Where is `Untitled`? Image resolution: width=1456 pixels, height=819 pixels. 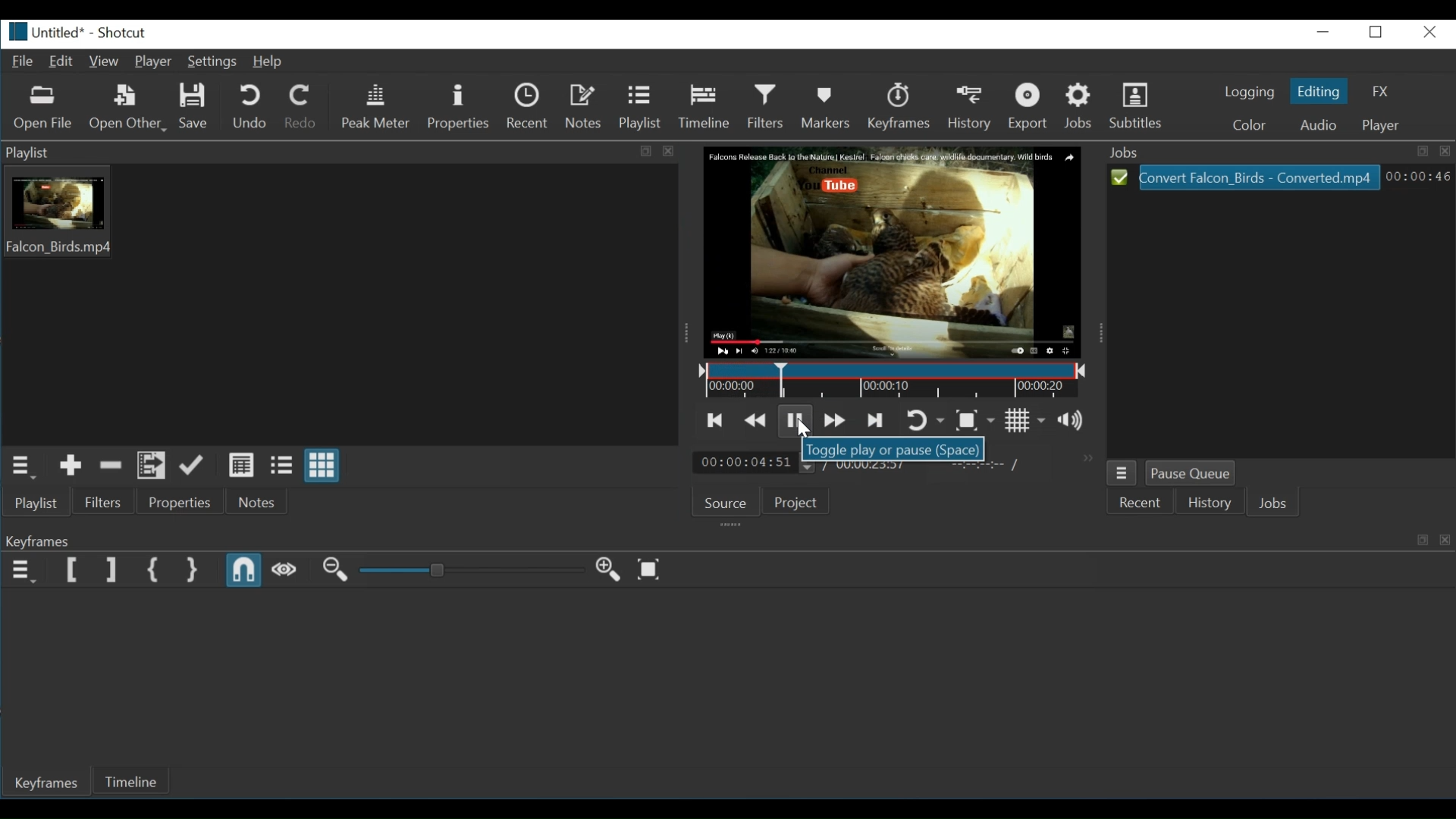 Untitled is located at coordinates (42, 32).